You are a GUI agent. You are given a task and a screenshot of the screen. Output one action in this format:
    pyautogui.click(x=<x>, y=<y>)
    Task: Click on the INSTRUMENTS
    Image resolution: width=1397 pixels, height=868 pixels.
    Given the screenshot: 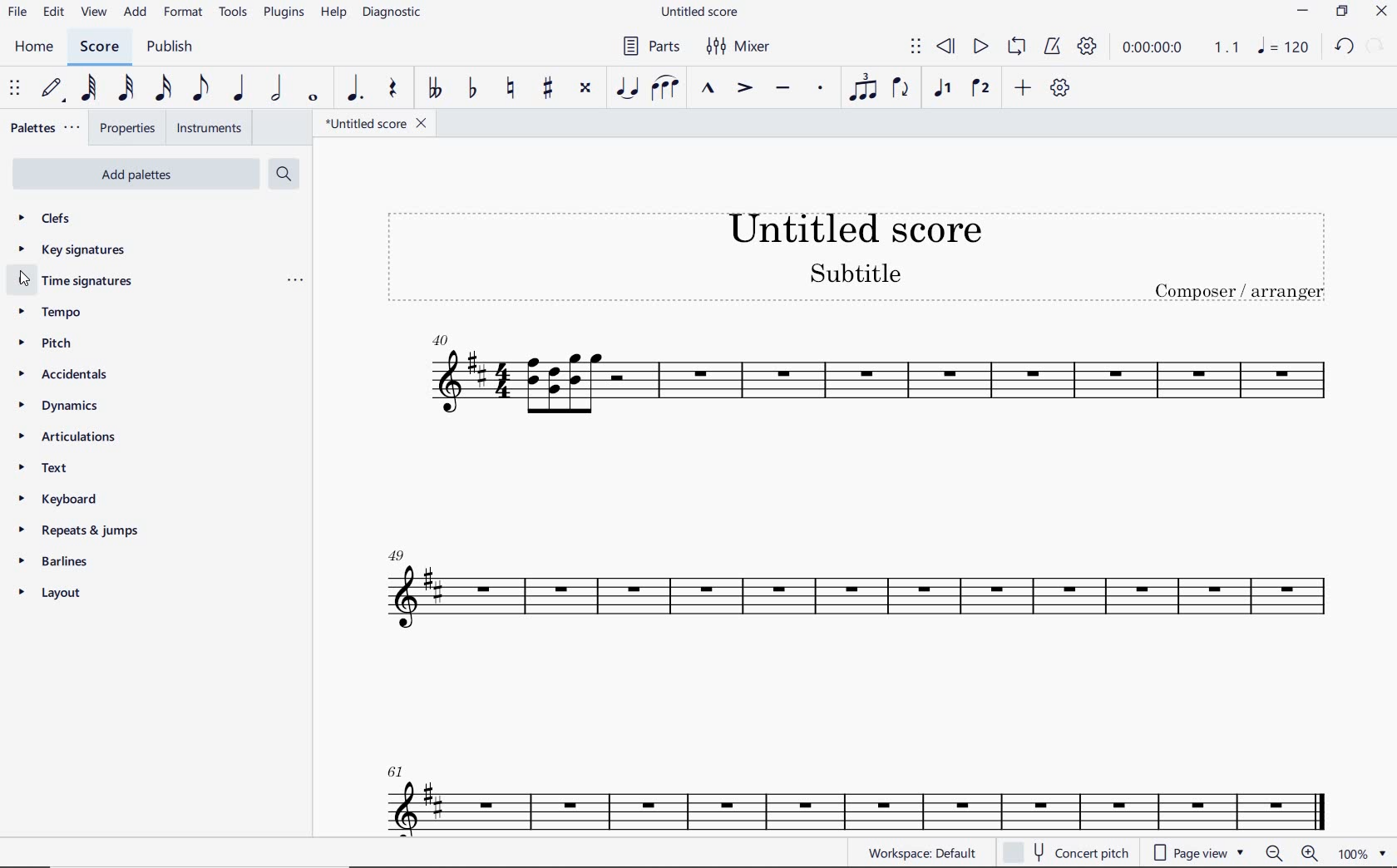 What is the action you would take?
    pyautogui.click(x=210, y=128)
    